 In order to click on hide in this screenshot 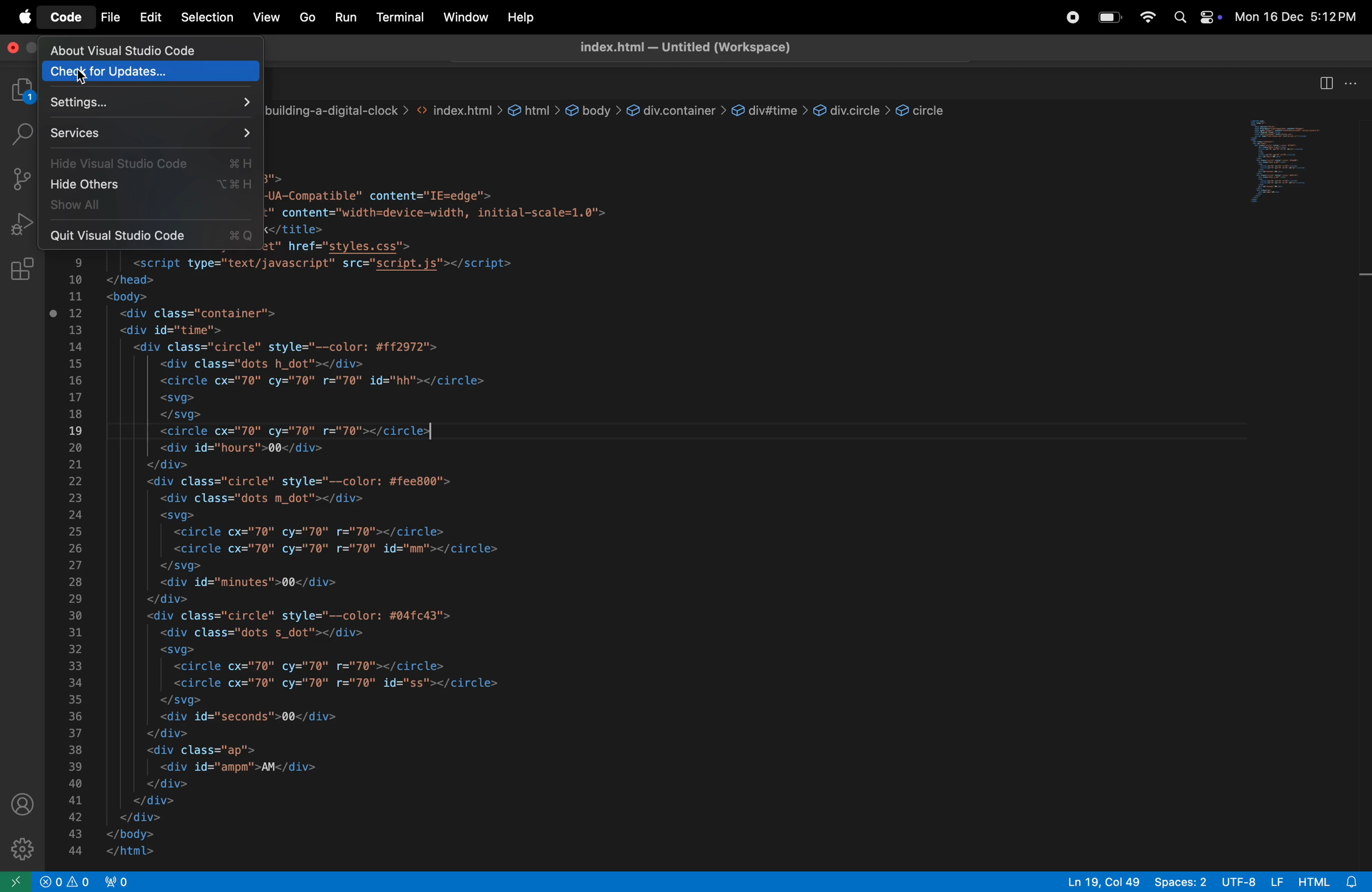, I will do `click(149, 184)`.